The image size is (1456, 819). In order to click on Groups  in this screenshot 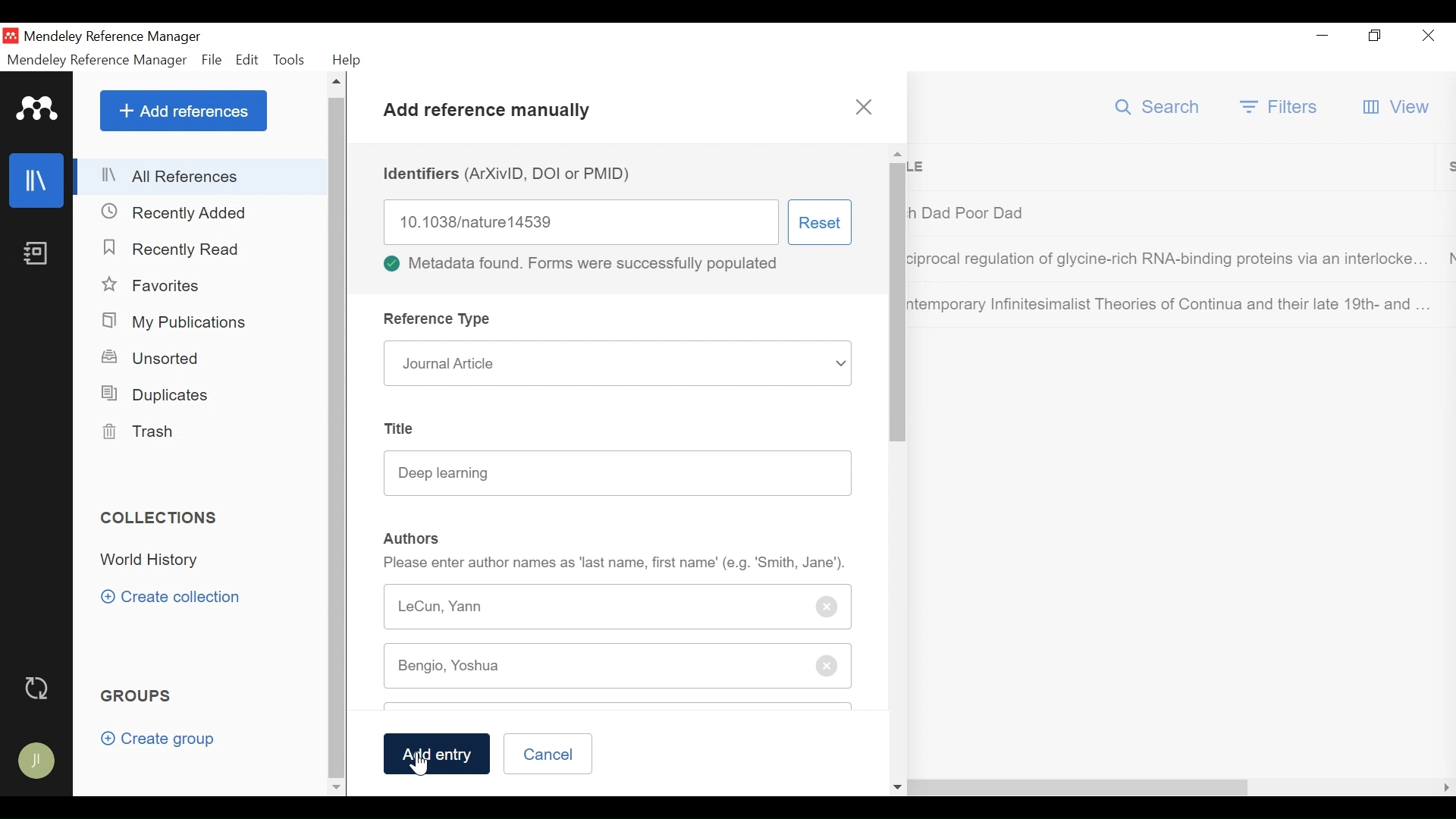, I will do `click(137, 697)`.